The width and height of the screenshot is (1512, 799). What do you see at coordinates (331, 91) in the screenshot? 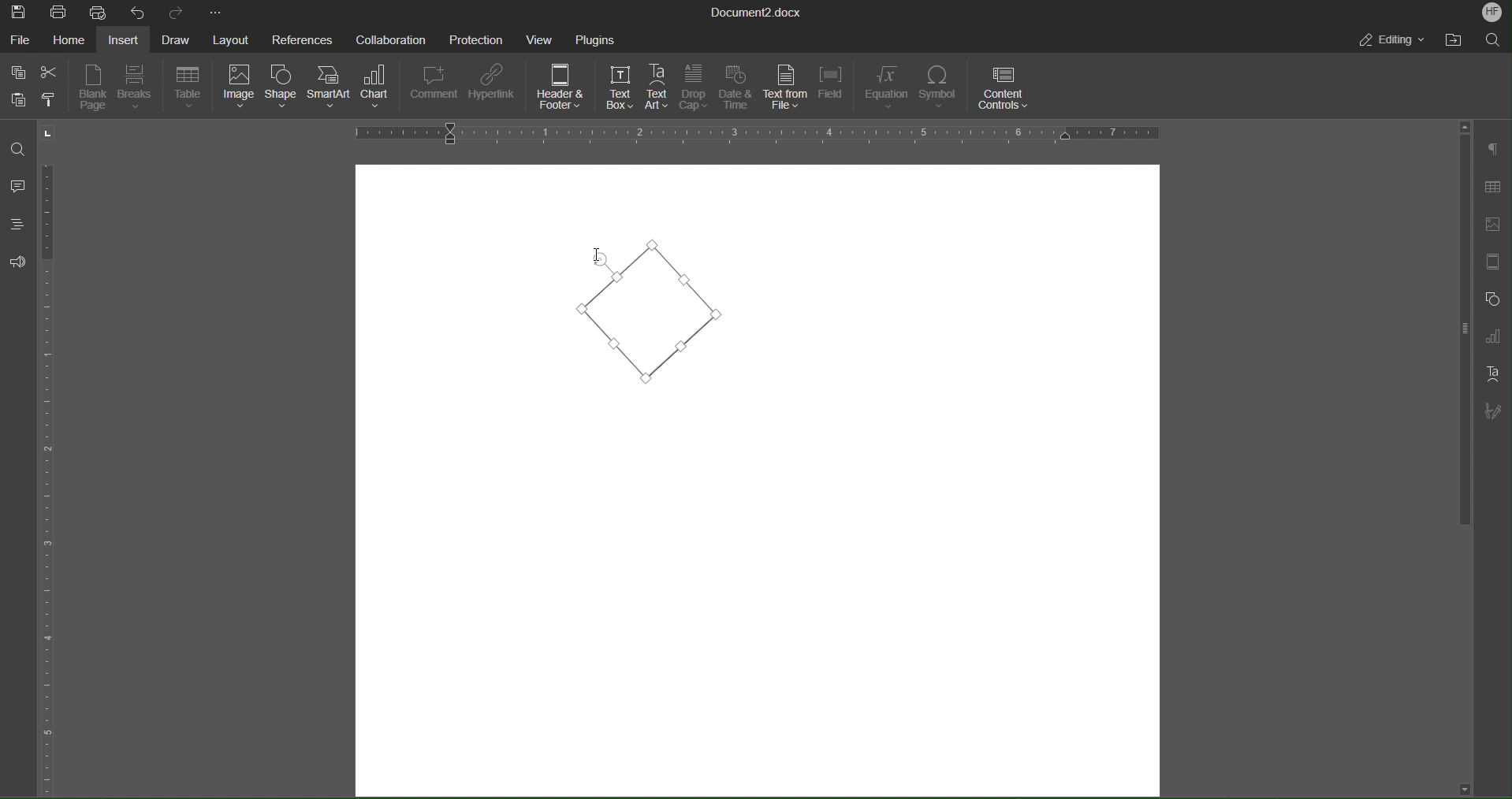
I see `SmartArt` at bounding box center [331, 91].